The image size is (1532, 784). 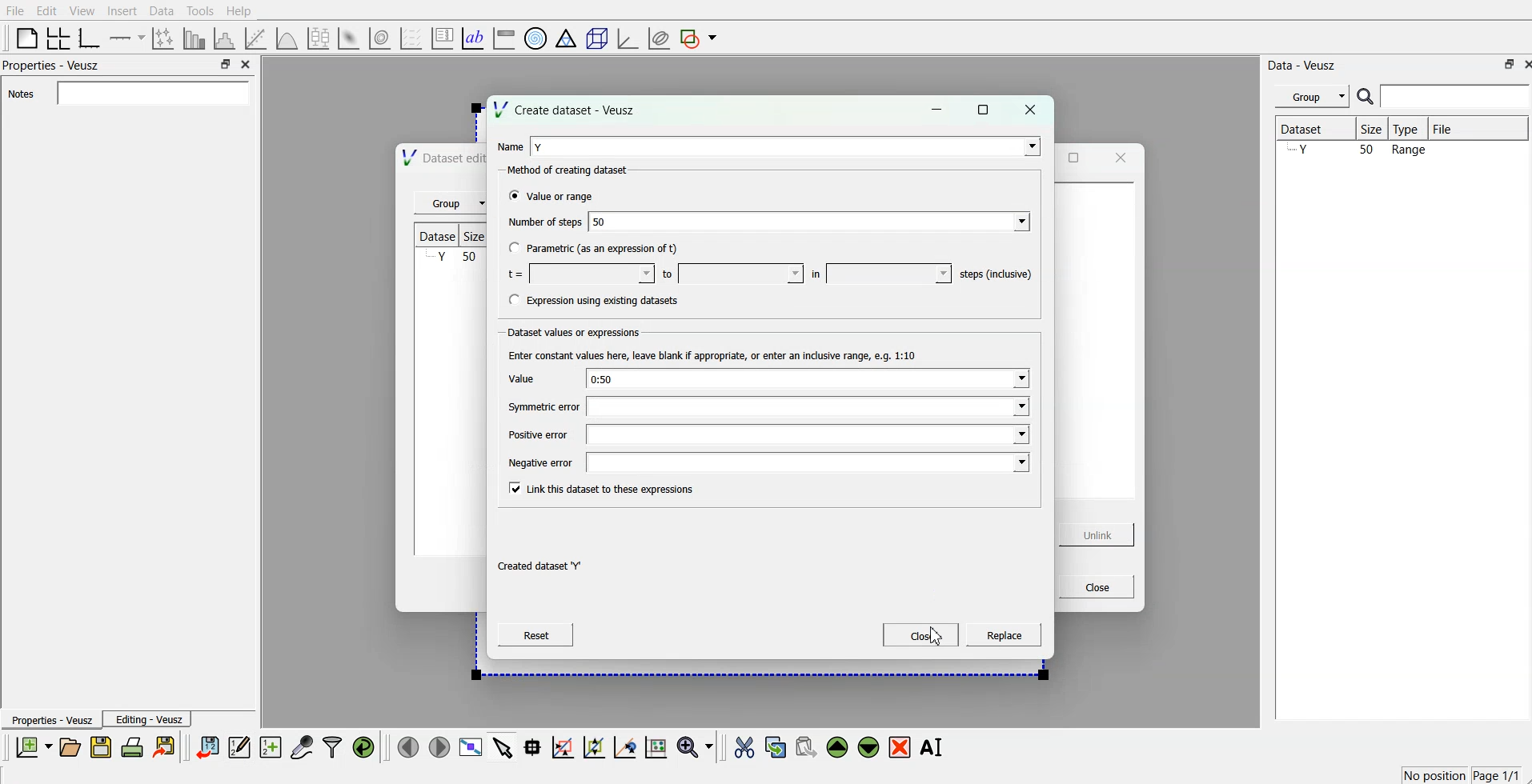 I want to click on recenter graph axes, so click(x=624, y=747).